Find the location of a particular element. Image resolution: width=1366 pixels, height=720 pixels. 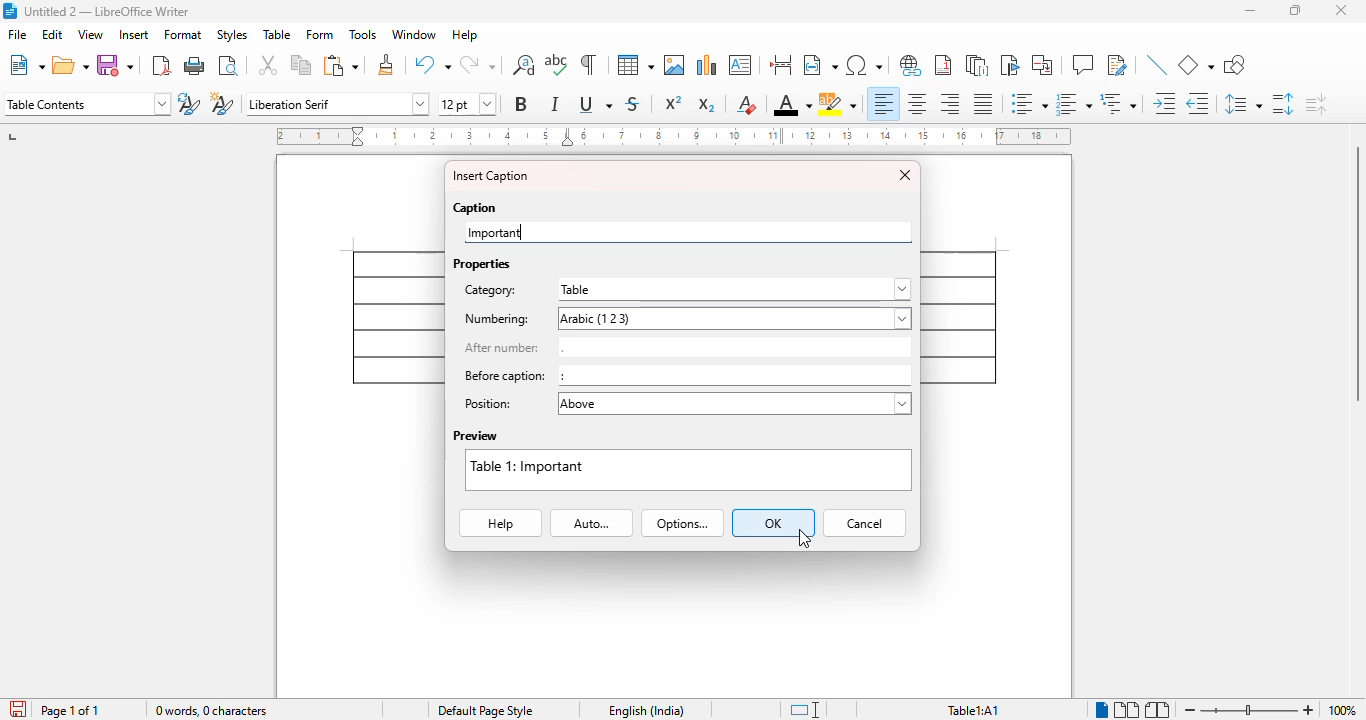

open is located at coordinates (70, 65).